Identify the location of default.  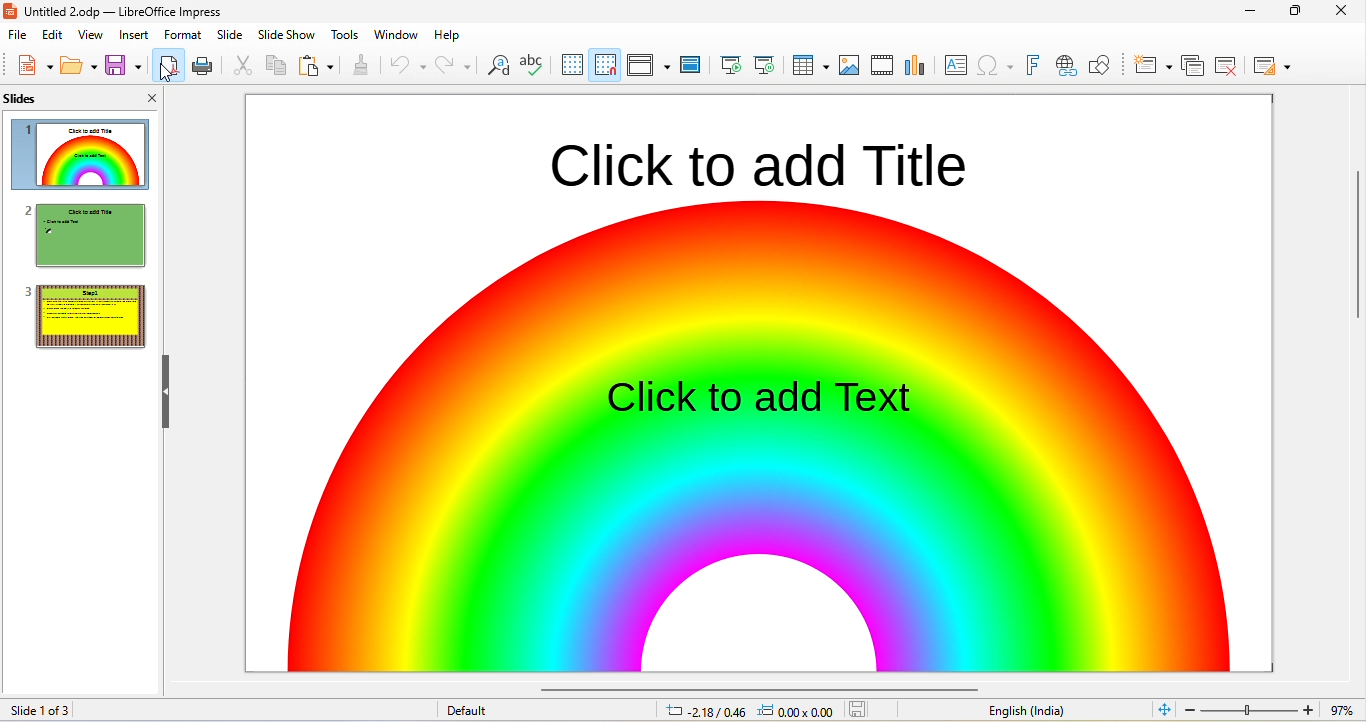
(467, 711).